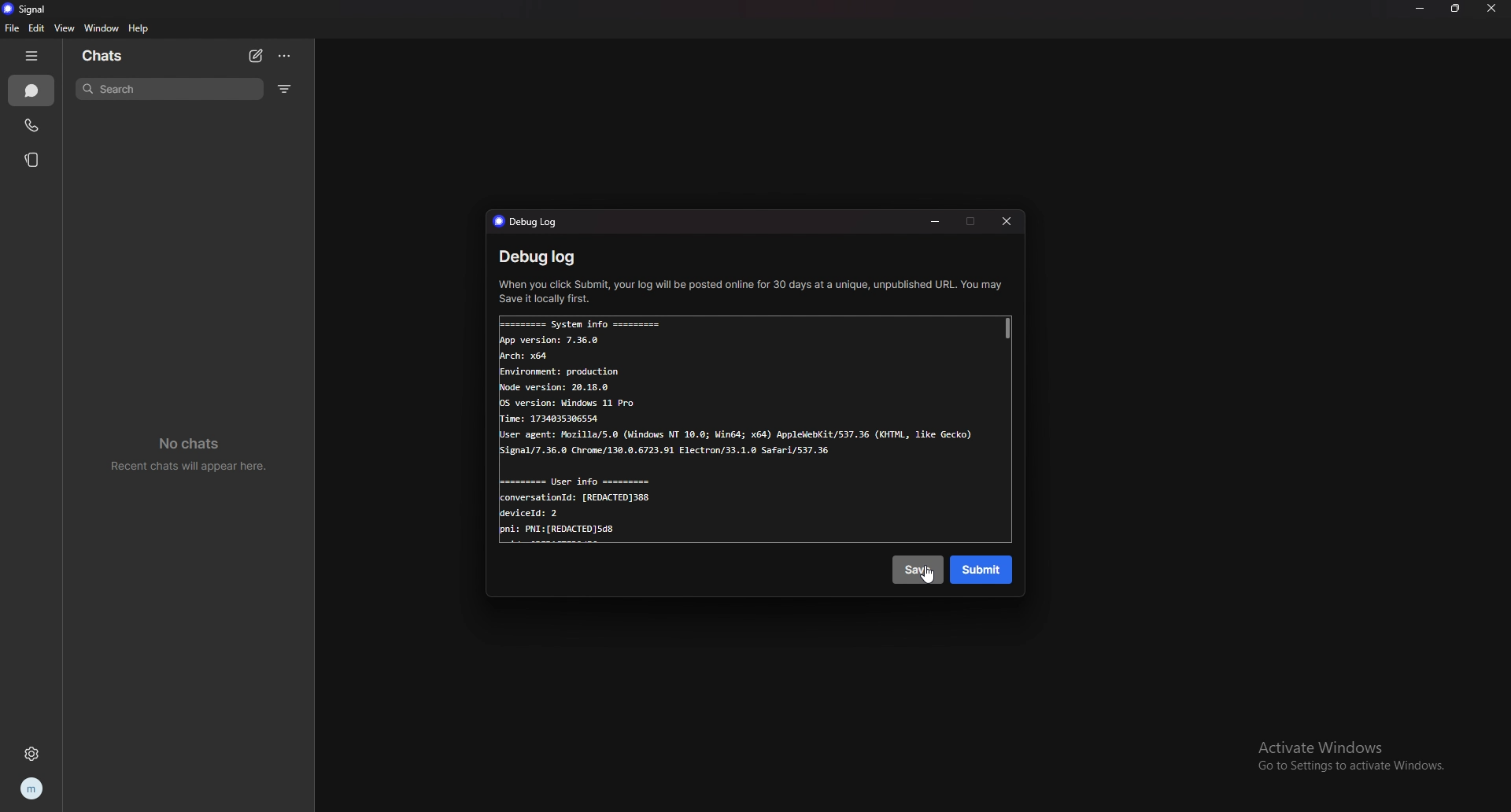  What do you see at coordinates (32, 161) in the screenshot?
I see `stories` at bounding box center [32, 161].